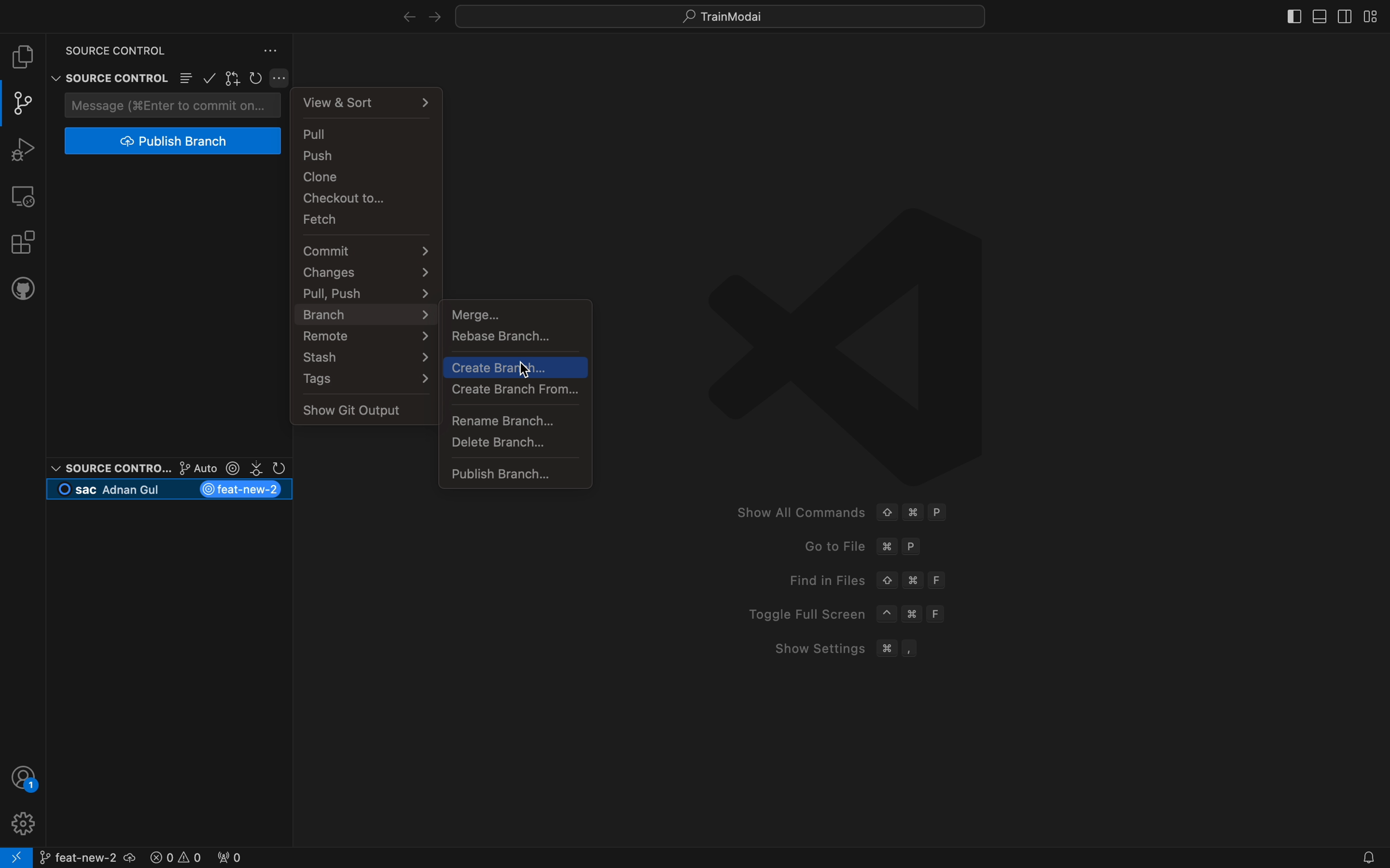 The width and height of the screenshot is (1390, 868). Describe the element at coordinates (94, 855) in the screenshot. I see `branch` at that location.